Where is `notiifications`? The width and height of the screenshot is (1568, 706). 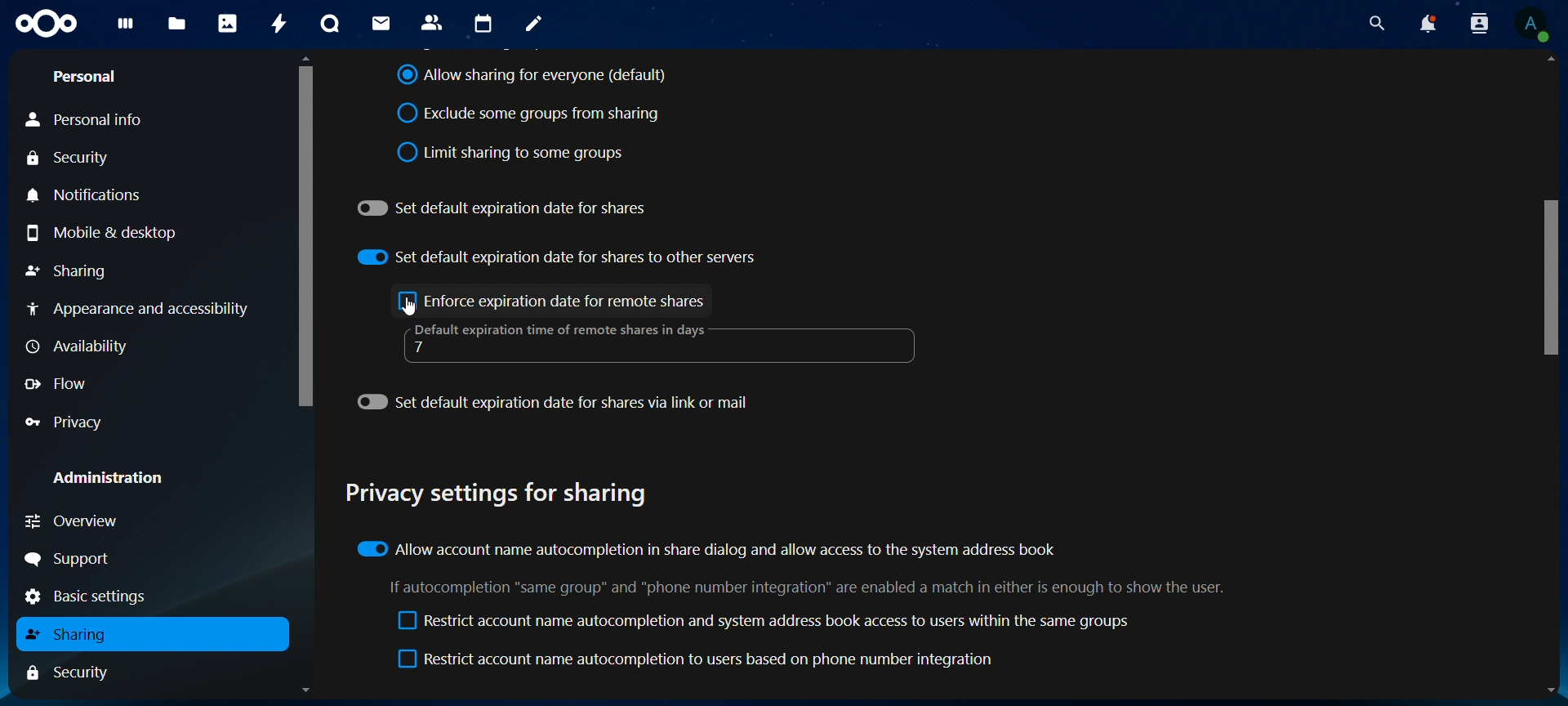
notiifications is located at coordinates (87, 194).